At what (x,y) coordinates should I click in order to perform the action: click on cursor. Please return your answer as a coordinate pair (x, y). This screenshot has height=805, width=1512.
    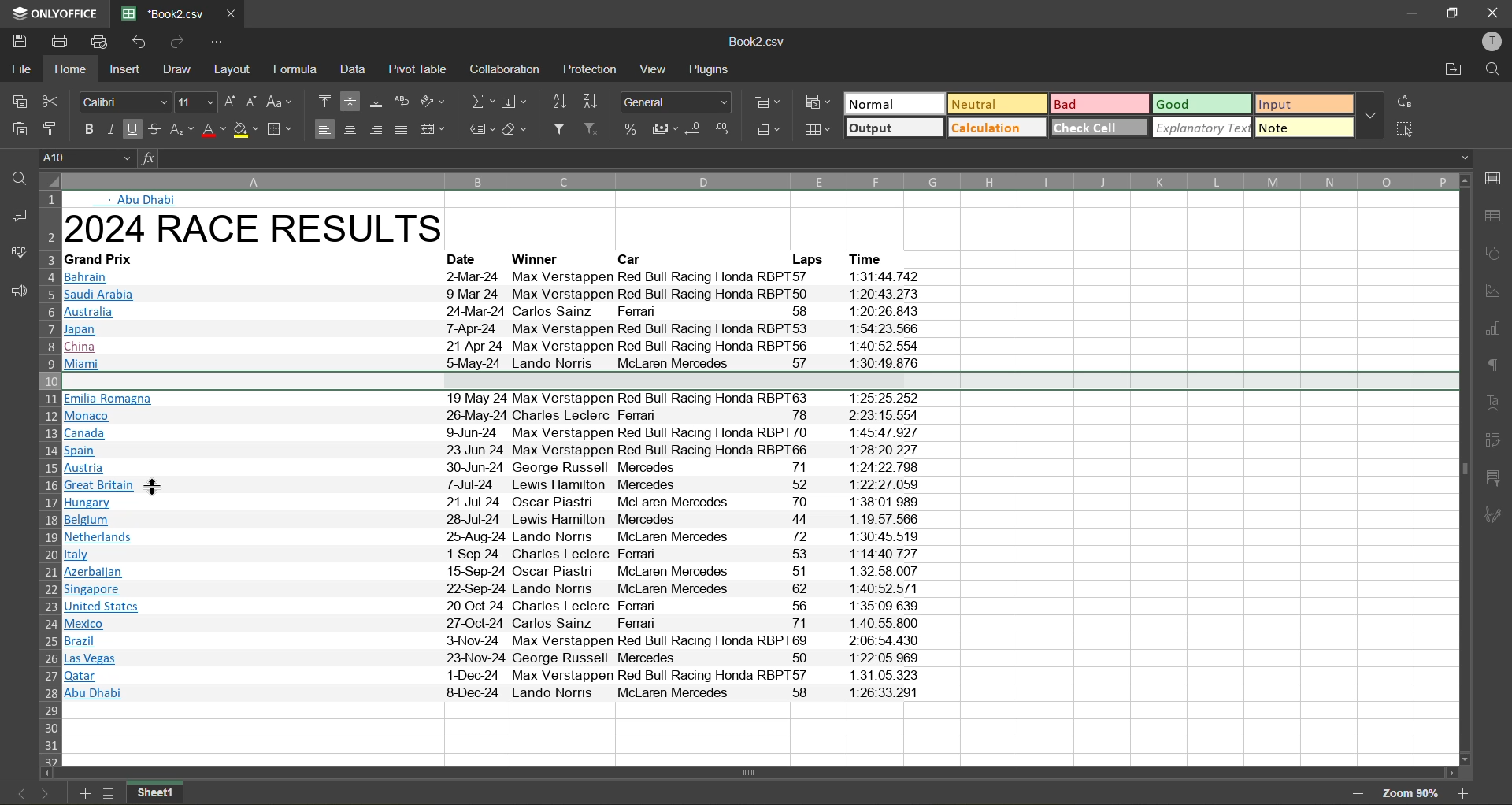
    Looking at the image, I should click on (154, 488).